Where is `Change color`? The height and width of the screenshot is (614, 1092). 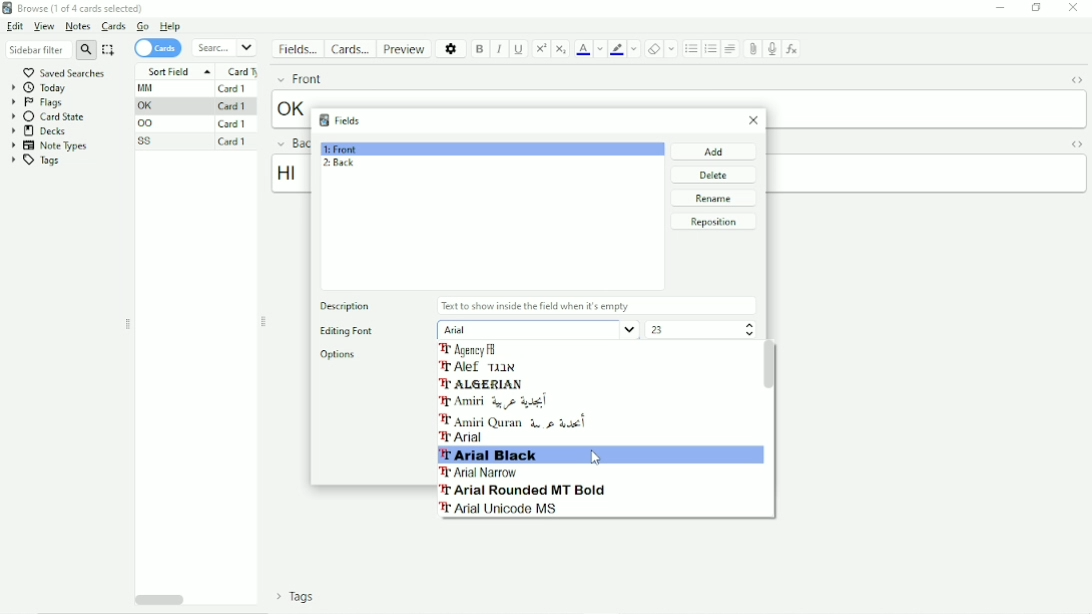 Change color is located at coordinates (600, 49).